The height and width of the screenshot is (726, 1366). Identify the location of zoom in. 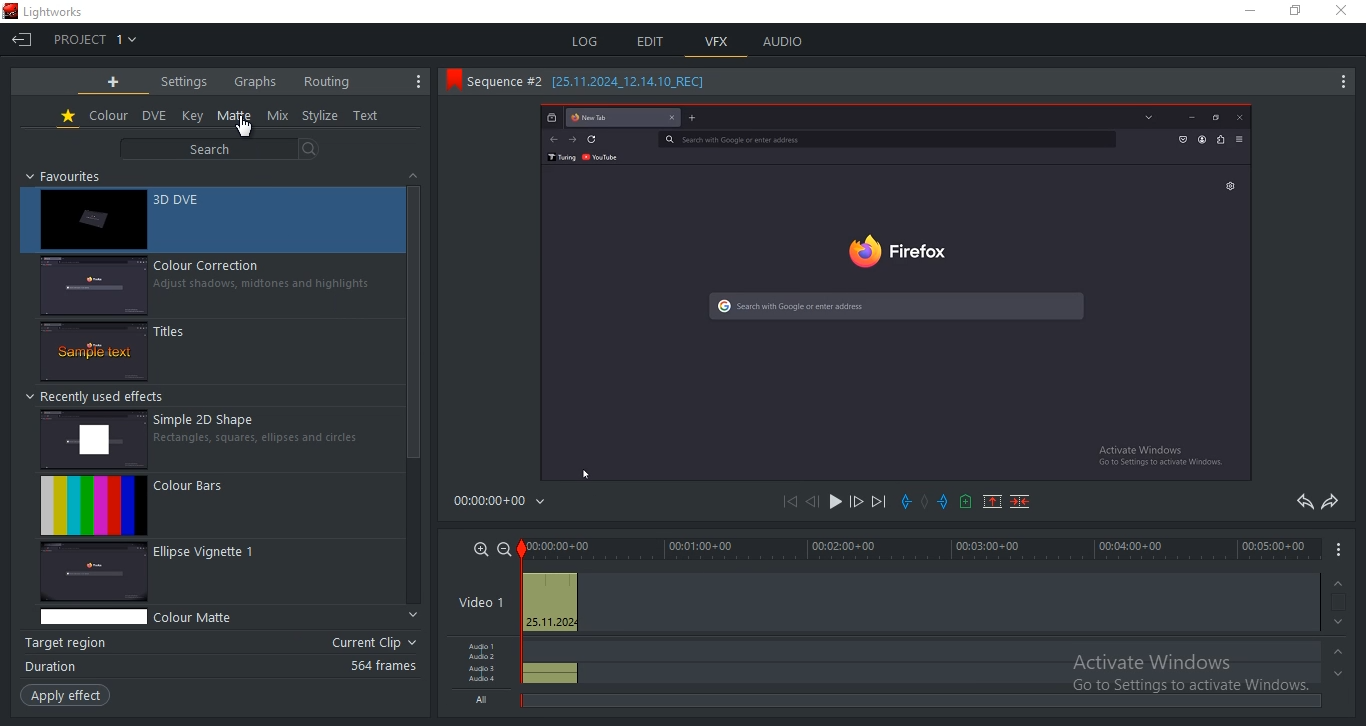
(481, 548).